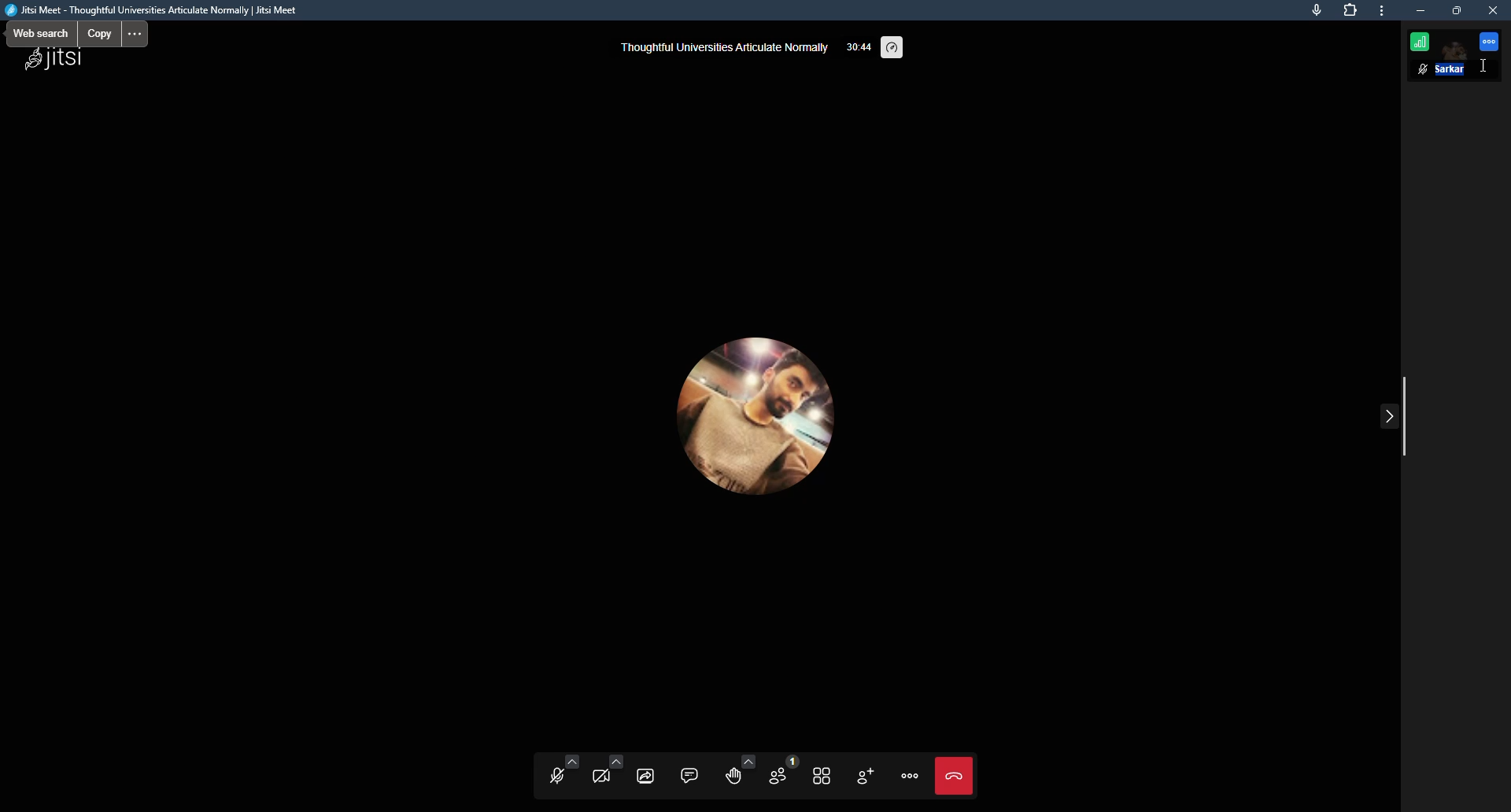 The height and width of the screenshot is (812, 1511). Describe the element at coordinates (690, 774) in the screenshot. I see `open chat` at that location.